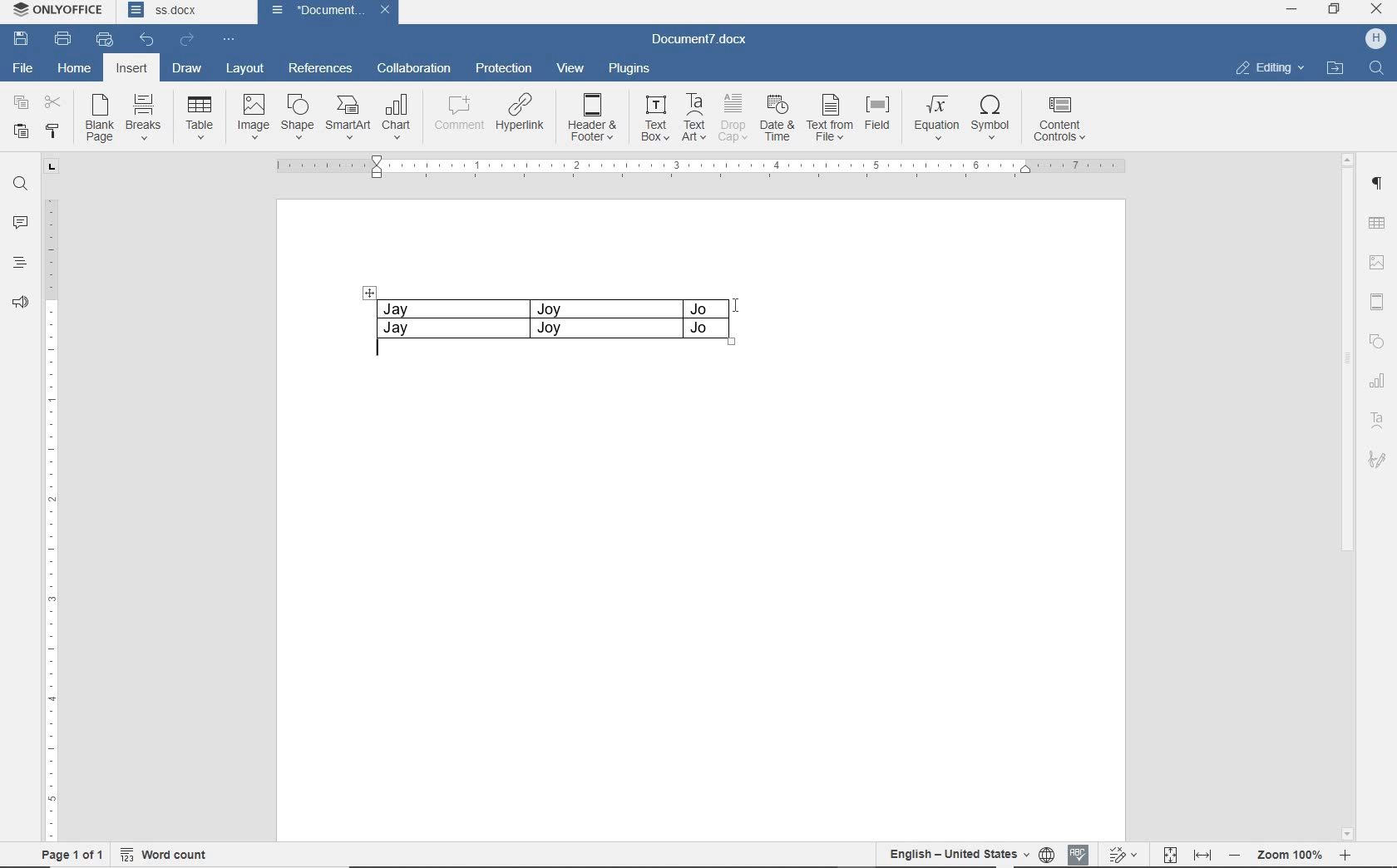  I want to click on TEXT BOX, so click(655, 118).